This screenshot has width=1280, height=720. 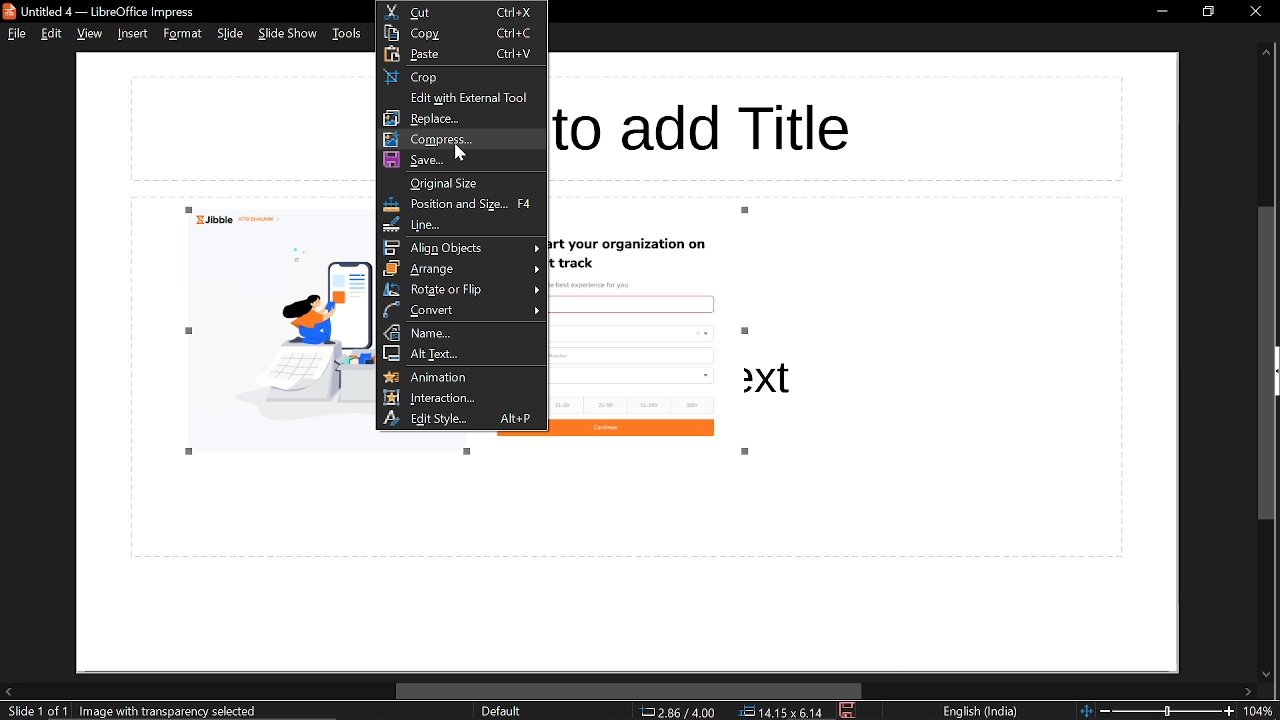 I want to click on edit style, so click(x=463, y=418).